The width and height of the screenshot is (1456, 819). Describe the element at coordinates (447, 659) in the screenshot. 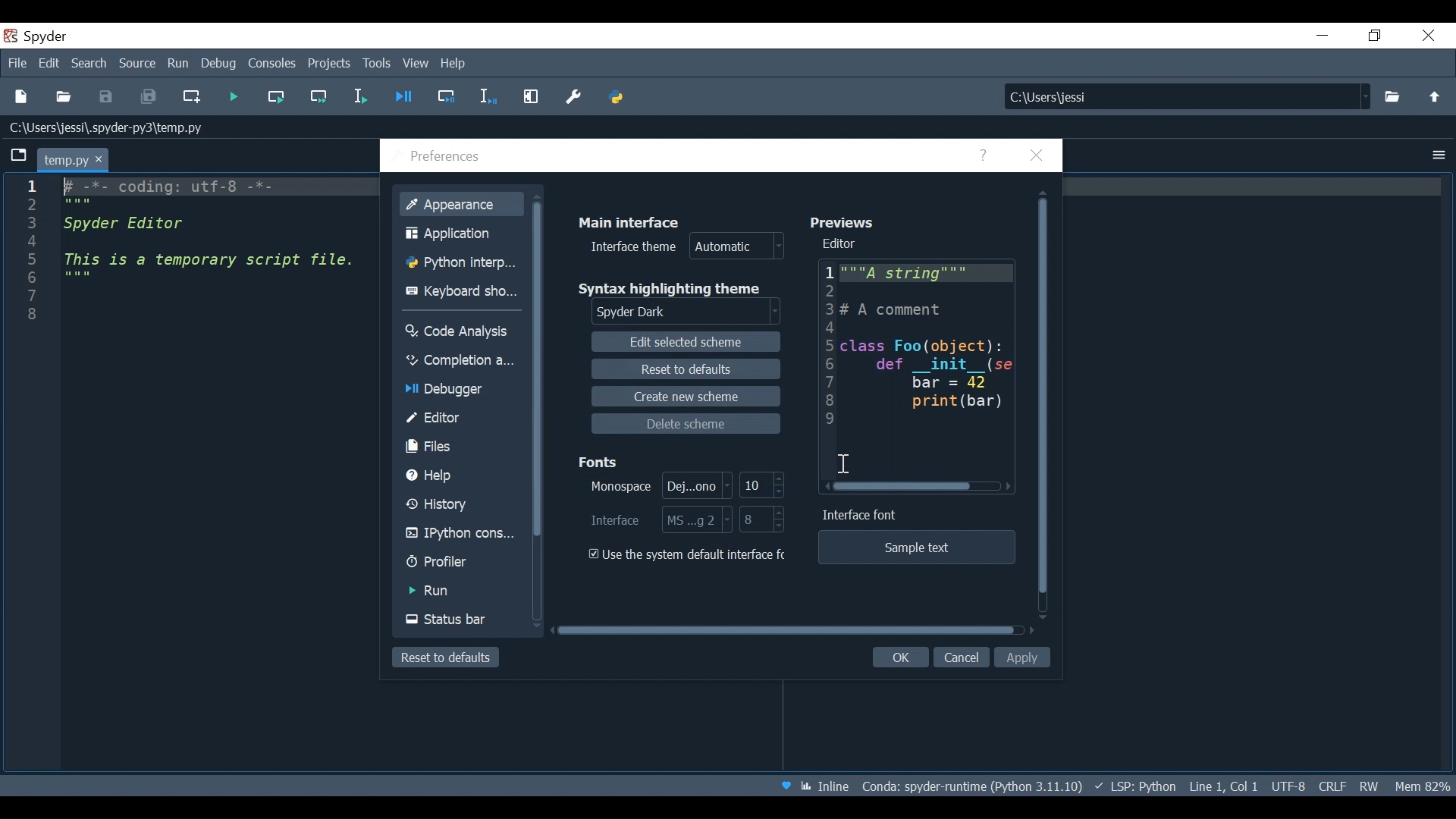

I see `Reset to defaults` at that location.